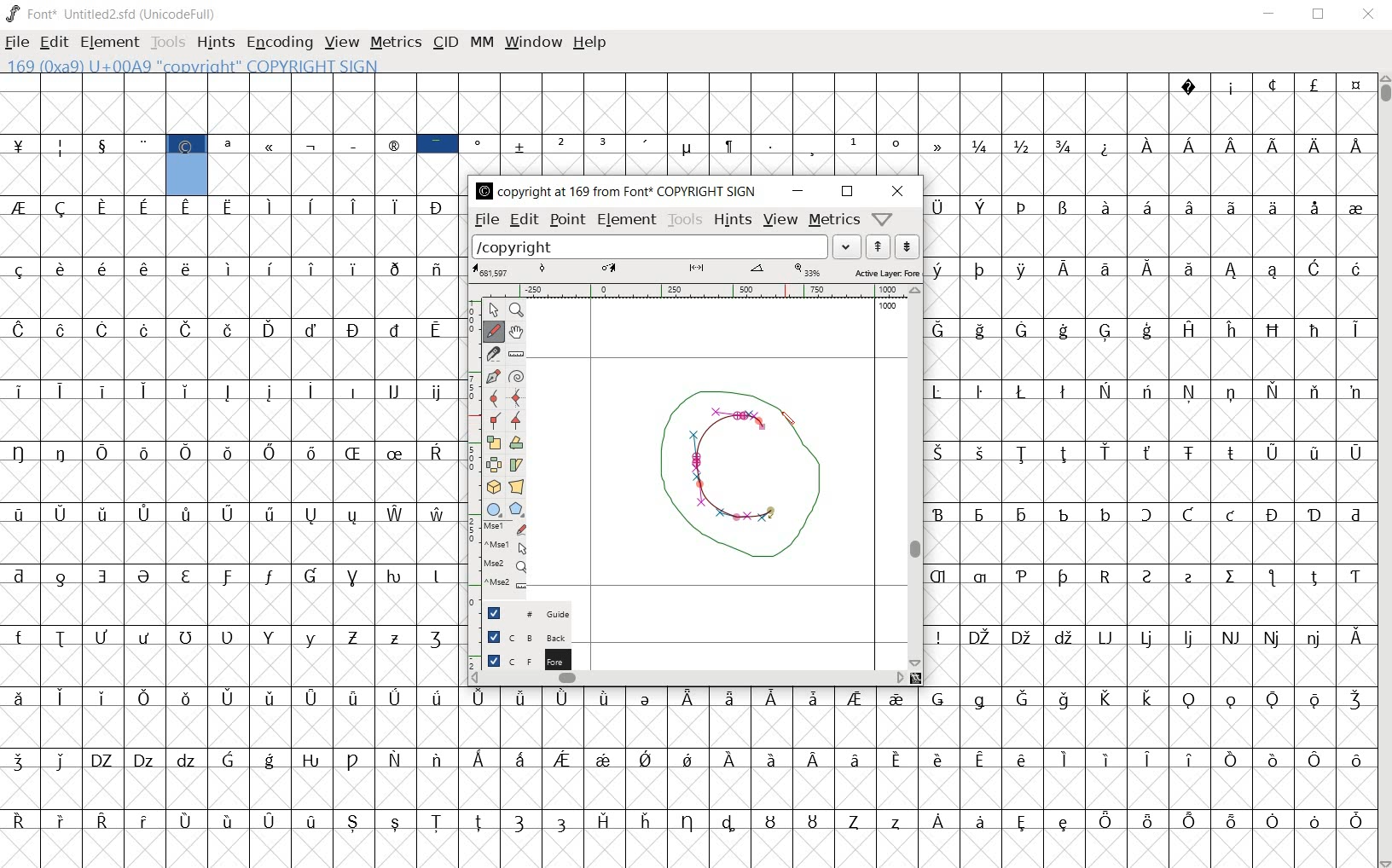  Describe the element at coordinates (519, 660) in the screenshot. I see `foreground layer` at that location.